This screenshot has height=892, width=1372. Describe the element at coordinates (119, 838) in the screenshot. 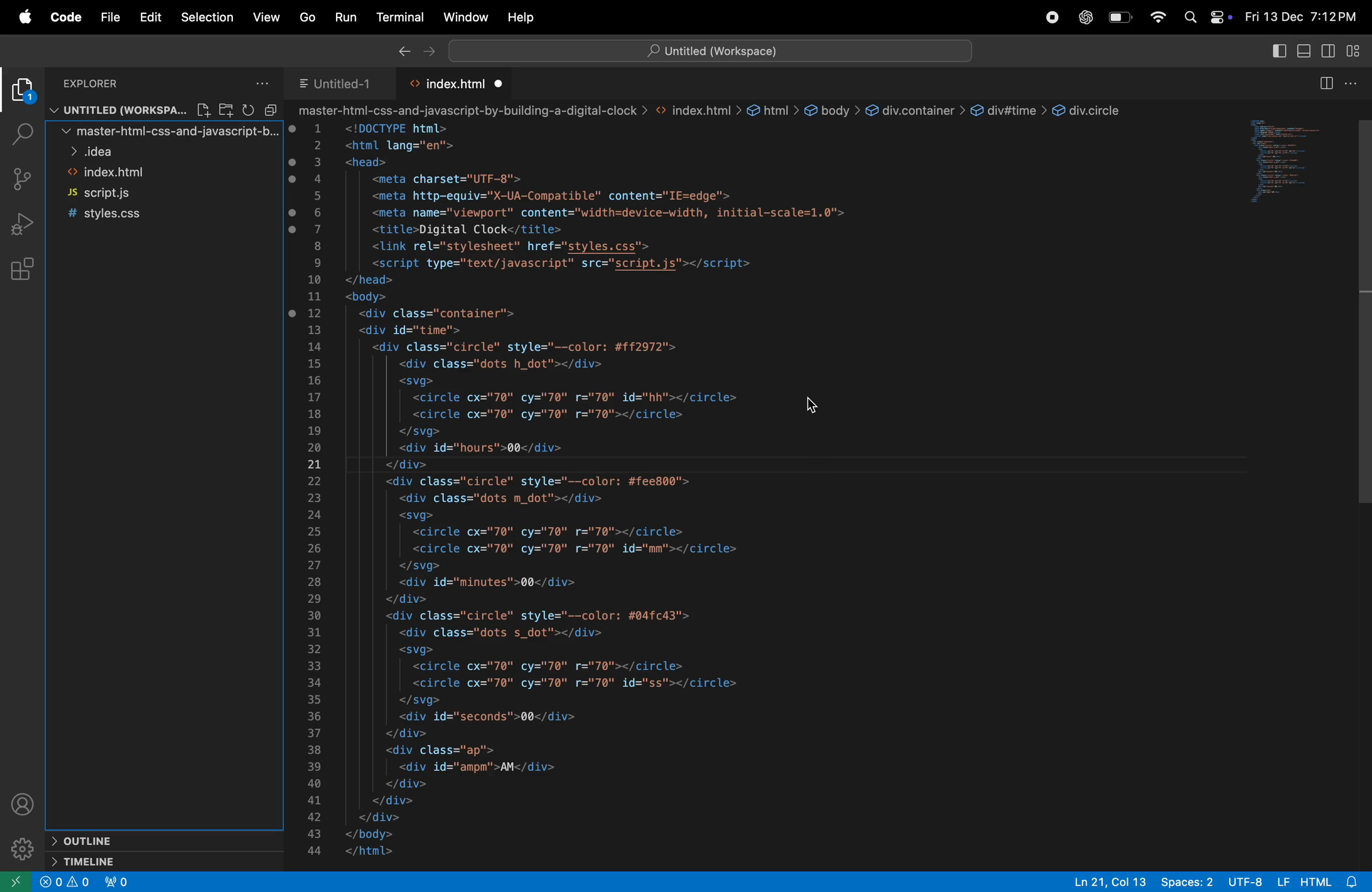

I see `outline` at that location.